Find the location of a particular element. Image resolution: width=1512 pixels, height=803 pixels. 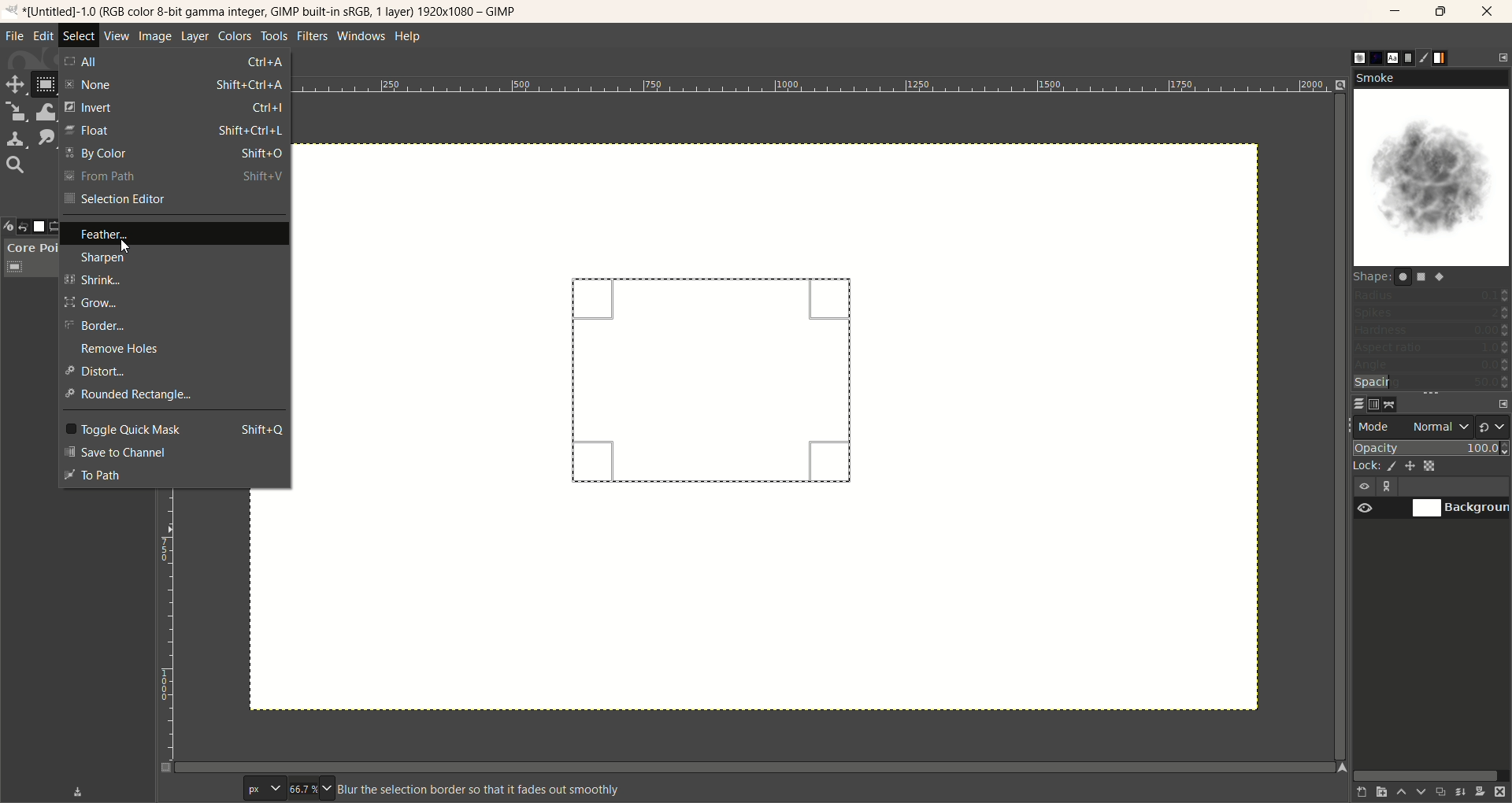

none is located at coordinates (172, 87).